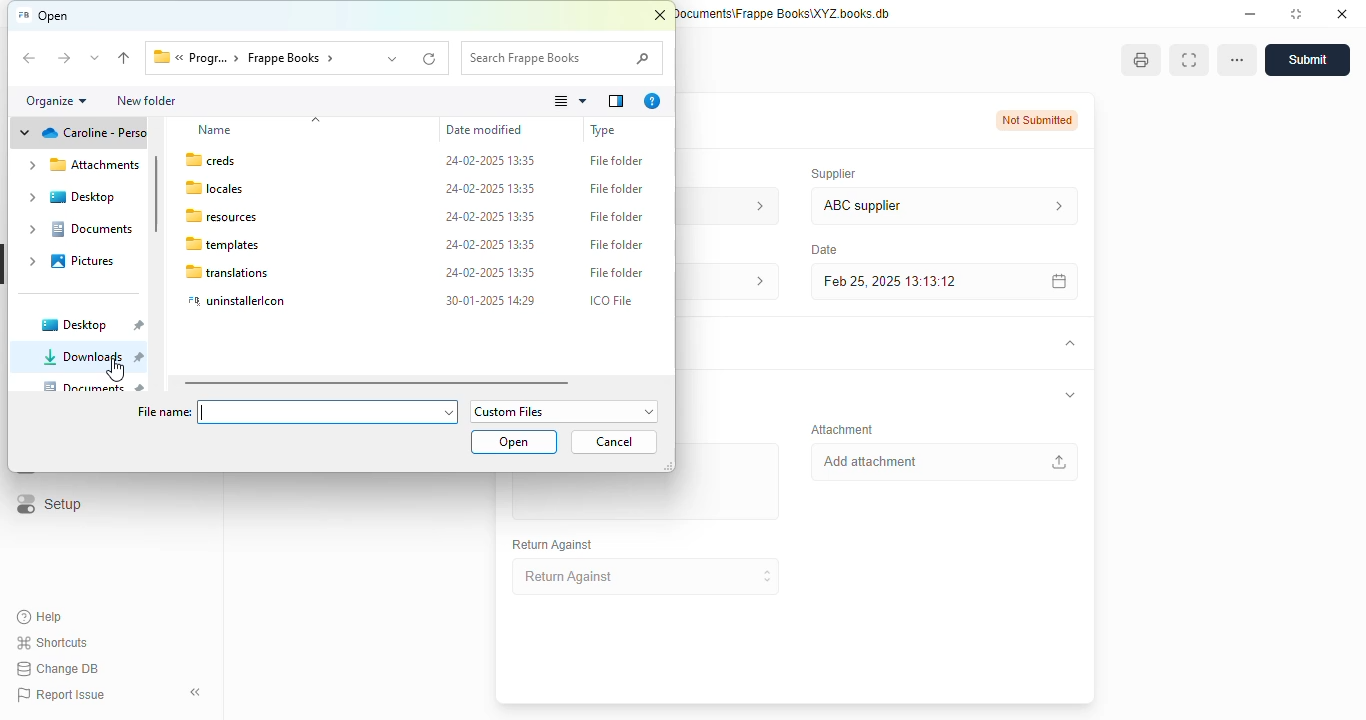 Image resolution: width=1366 pixels, height=720 pixels. What do you see at coordinates (490, 189) in the screenshot?
I see `24-02-2025 13:35` at bounding box center [490, 189].